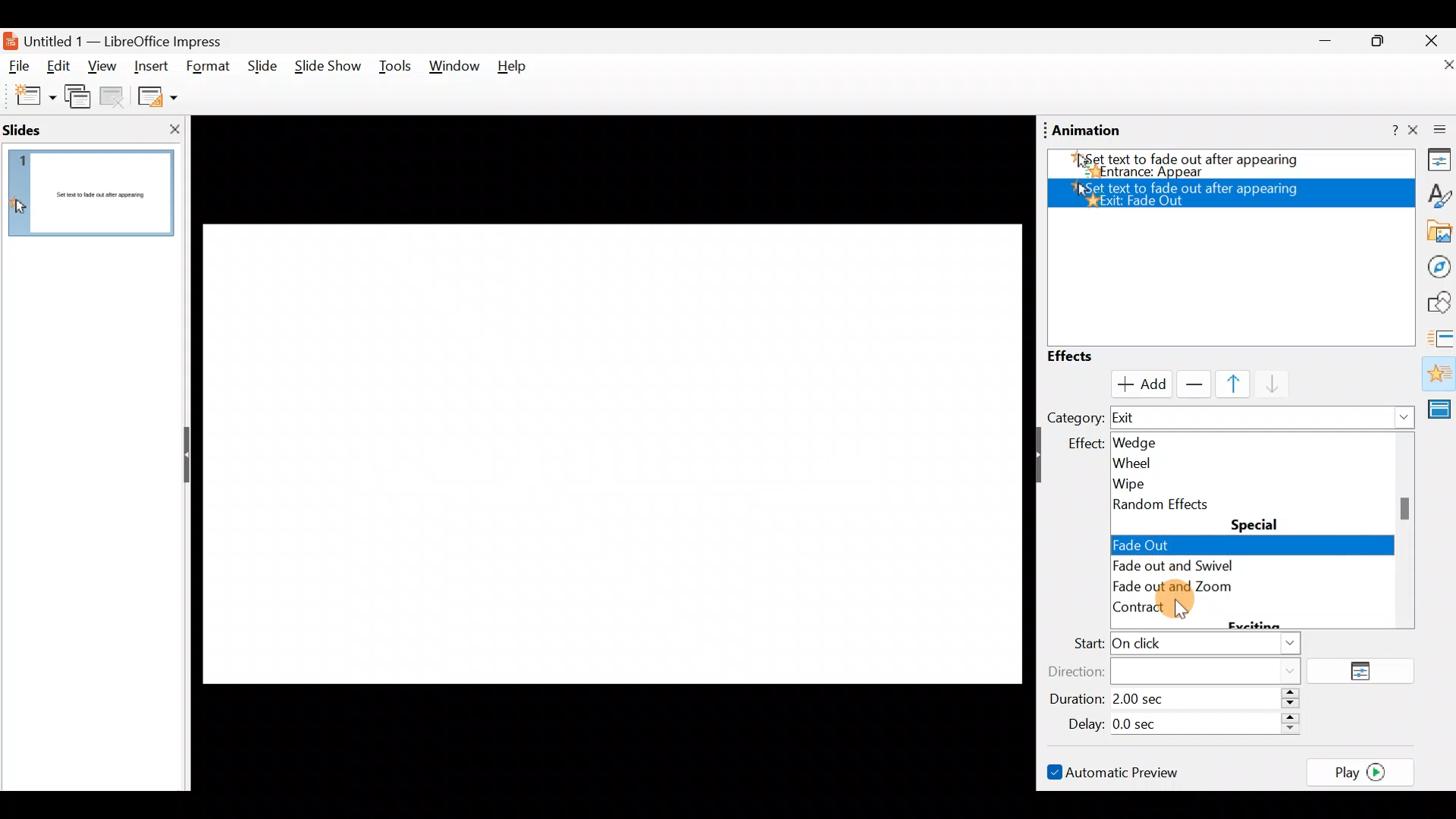  I want to click on Wheel, so click(1164, 462).